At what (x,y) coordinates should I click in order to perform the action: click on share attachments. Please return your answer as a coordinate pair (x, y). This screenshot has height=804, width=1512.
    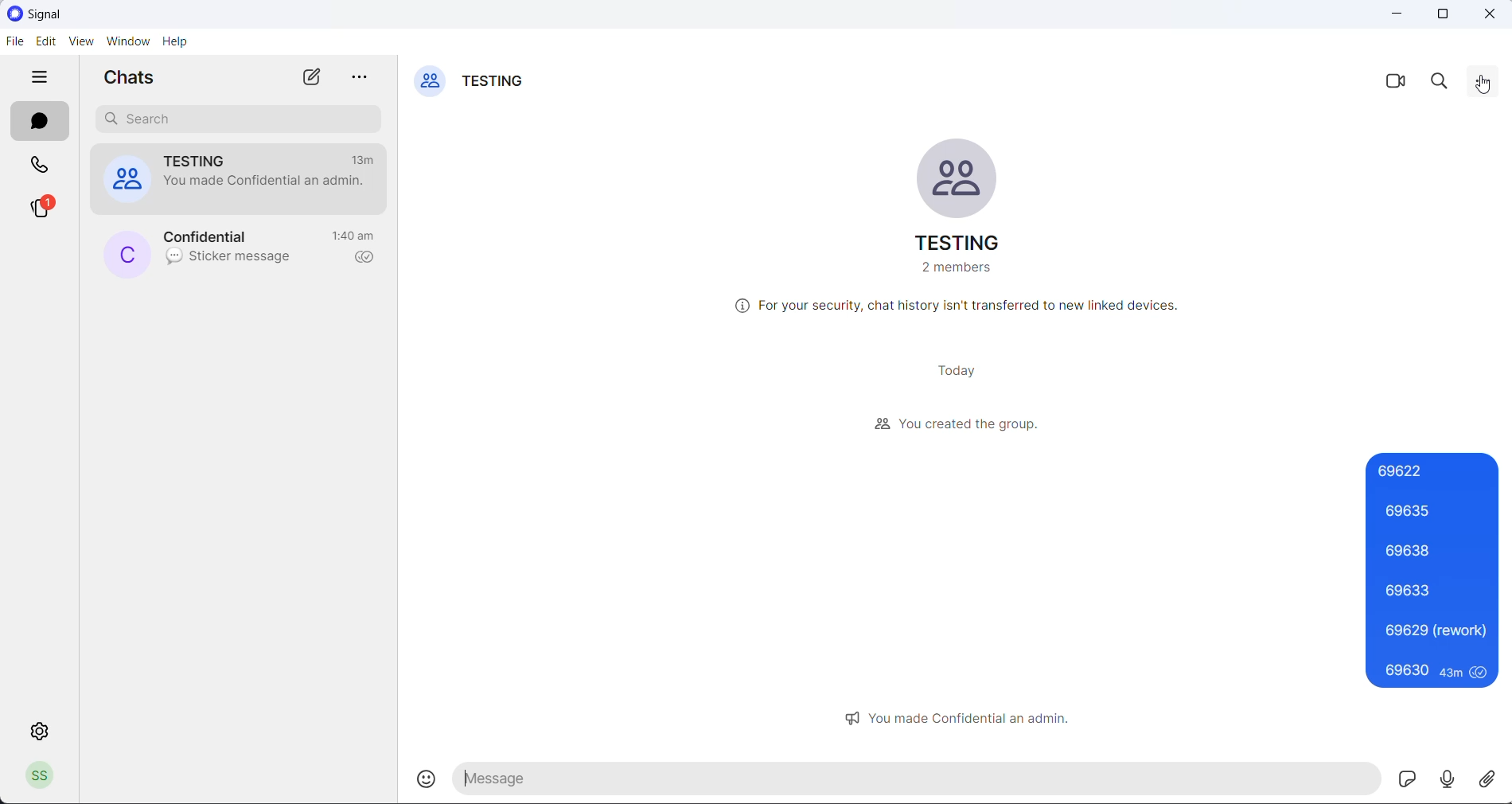
    Looking at the image, I should click on (1493, 777).